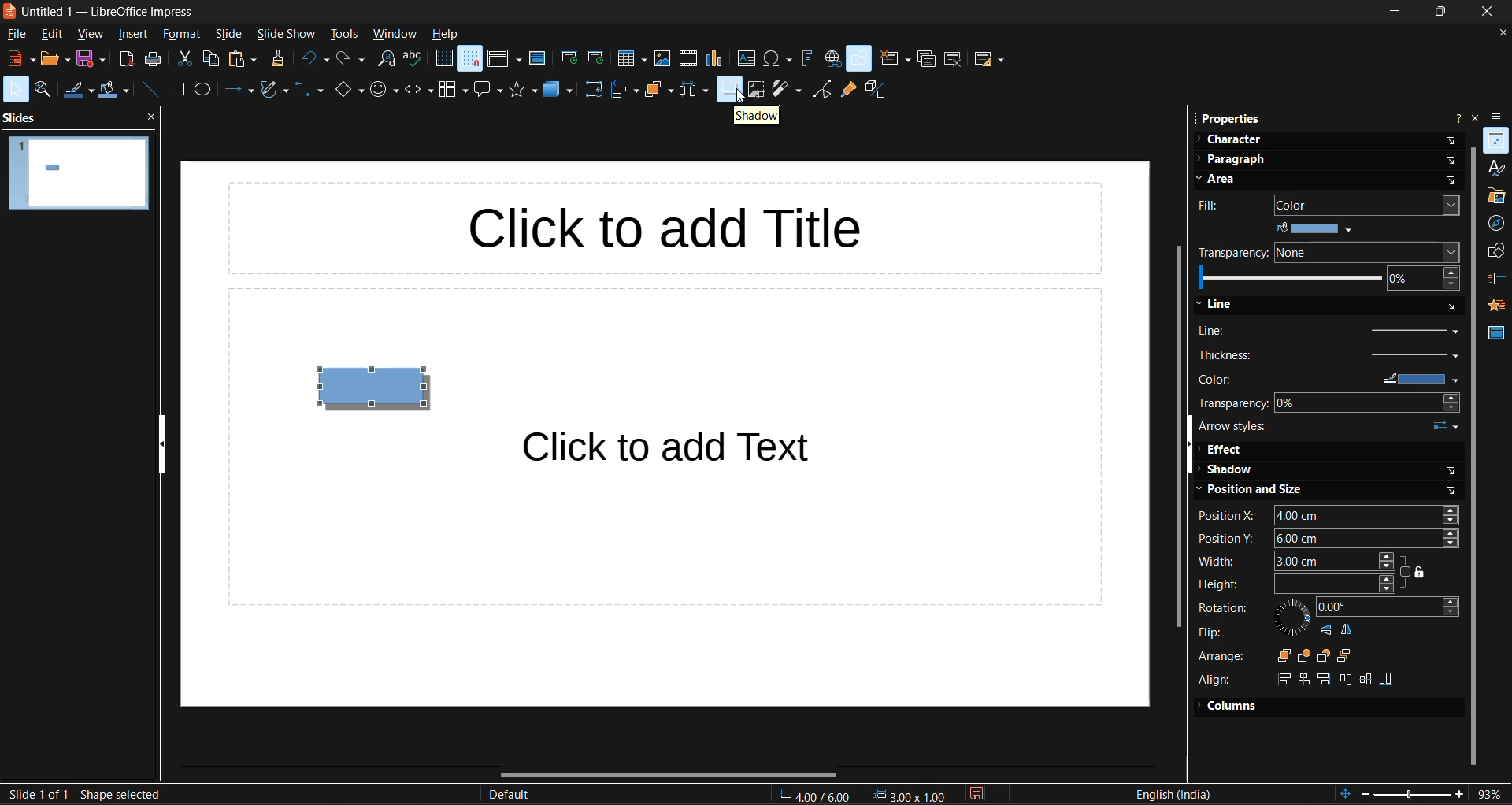 The height and width of the screenshot is (805, 1512). What do you see at coordinates (692, 89) in the screenshot?
I see `distribute` at bounding box center [692, 89].